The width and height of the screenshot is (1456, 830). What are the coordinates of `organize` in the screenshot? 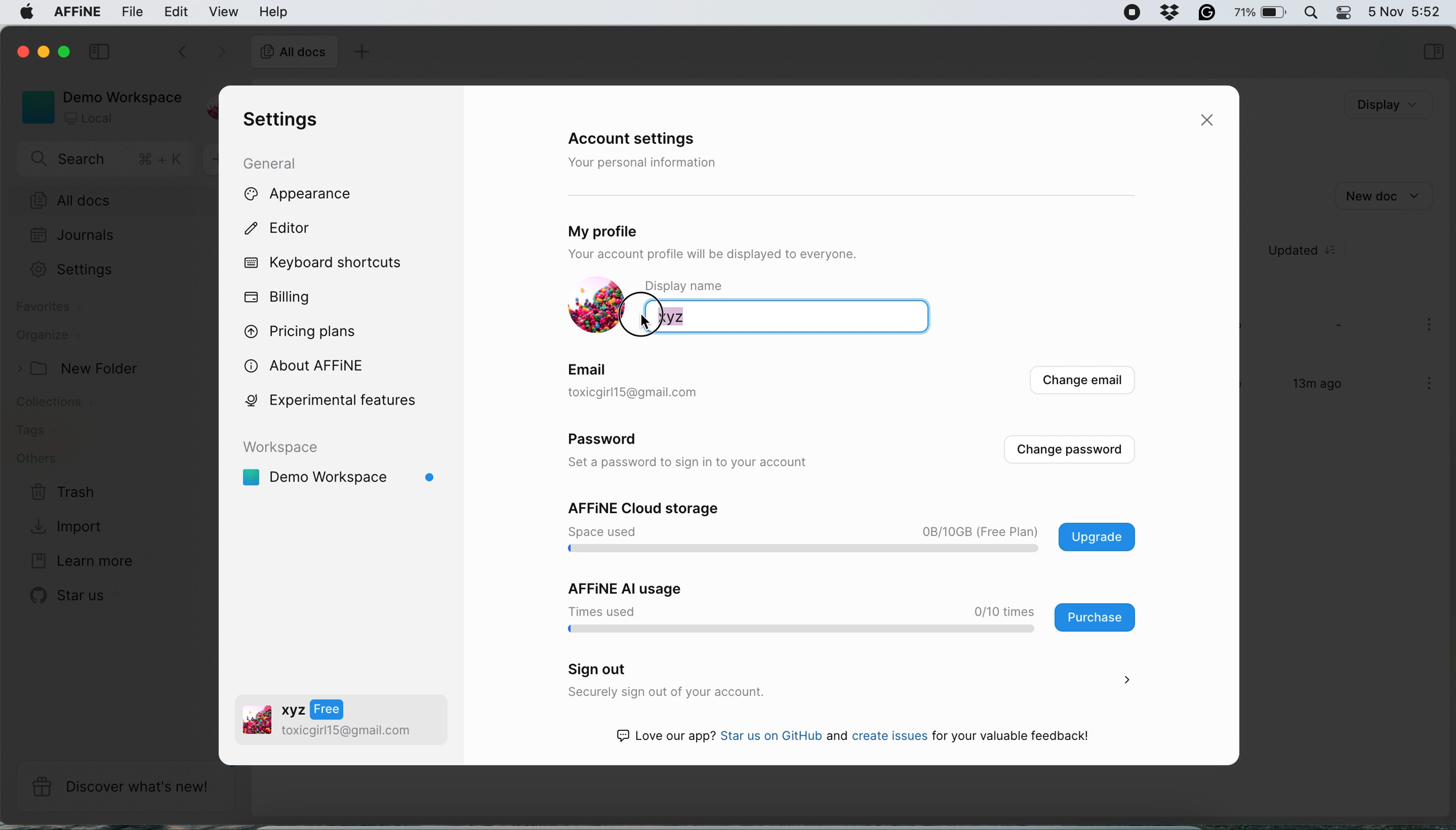 It's located at (48, 337).